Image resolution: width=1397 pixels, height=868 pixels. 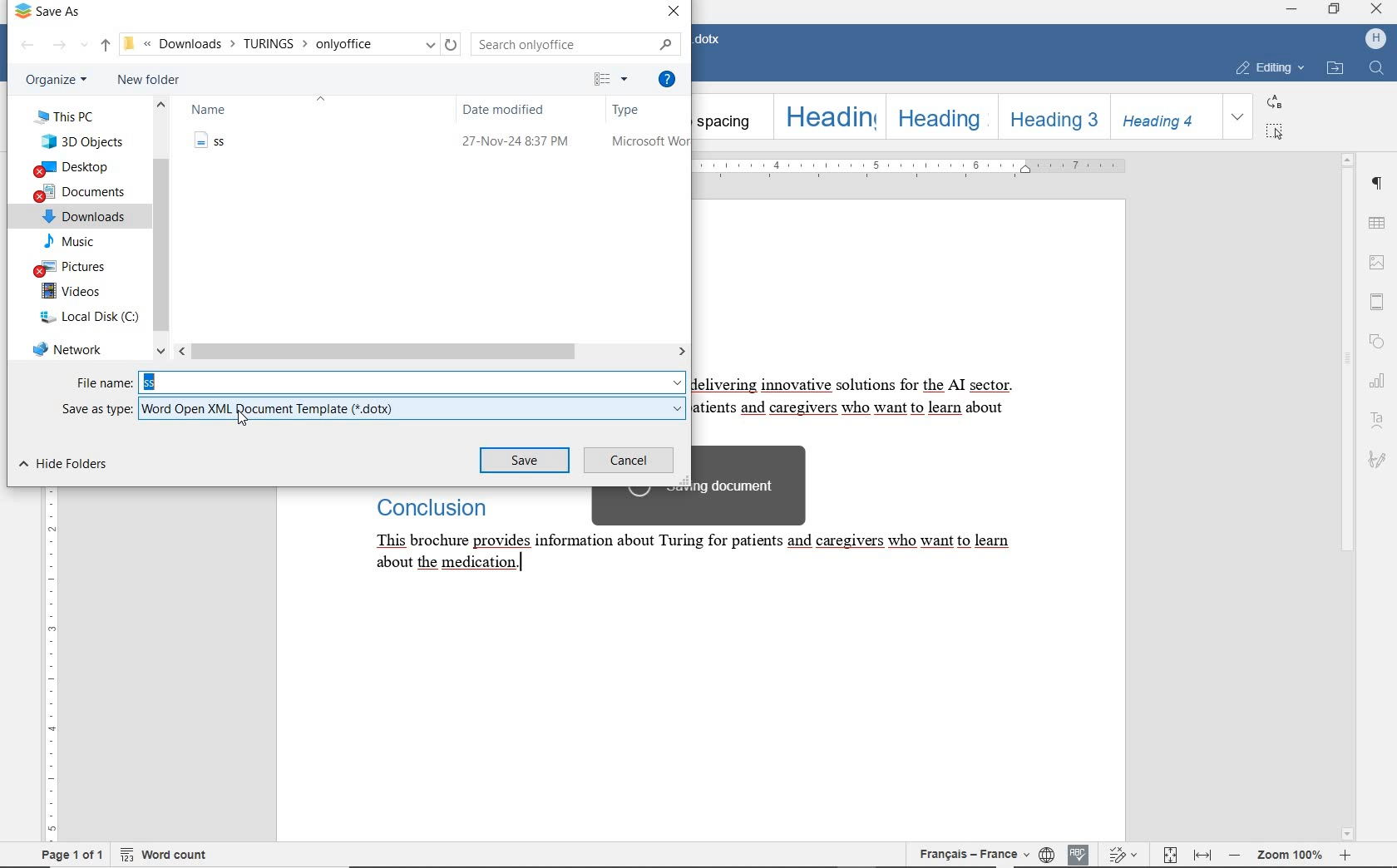 What do you see at coordinates (77, 167) in the screenshot?
I see `DESKTOP` at bounding box center [77, 167].